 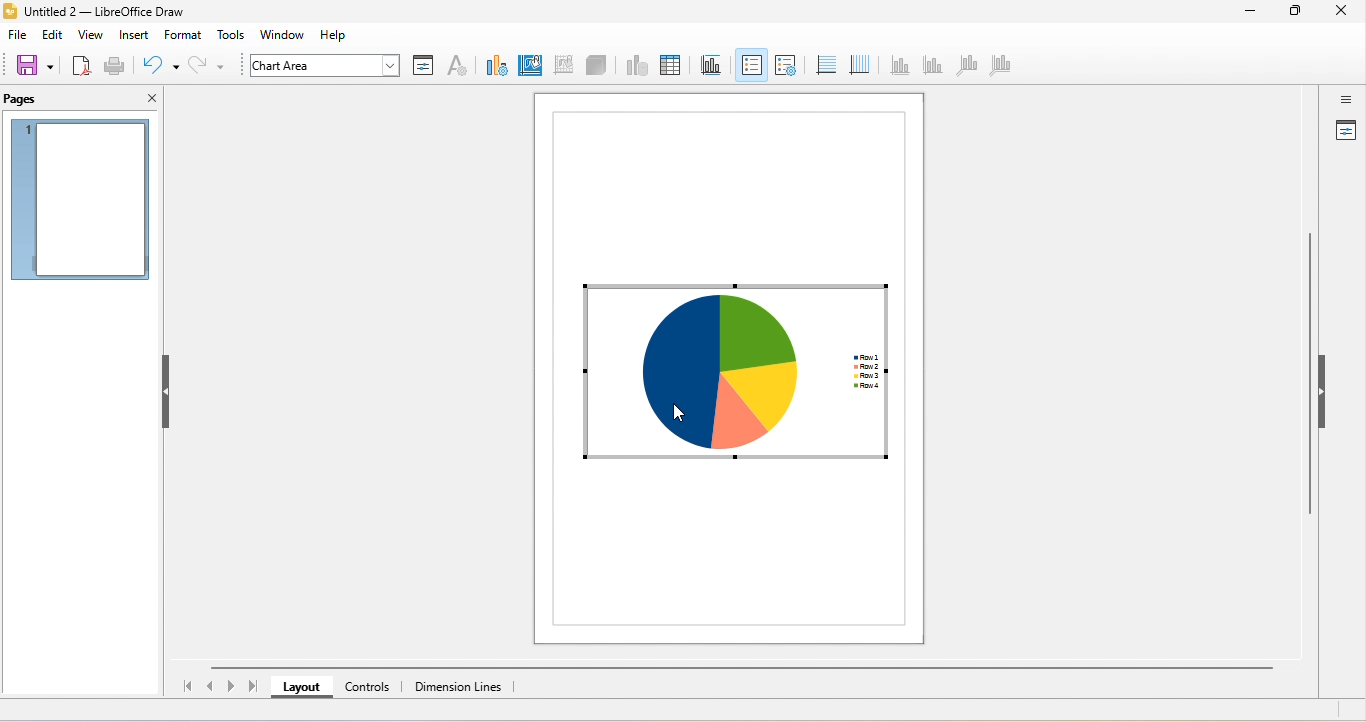 What do you see at coordinates (148, 99) in the screenshot?
I see `close` at bounding box center [148, 99].